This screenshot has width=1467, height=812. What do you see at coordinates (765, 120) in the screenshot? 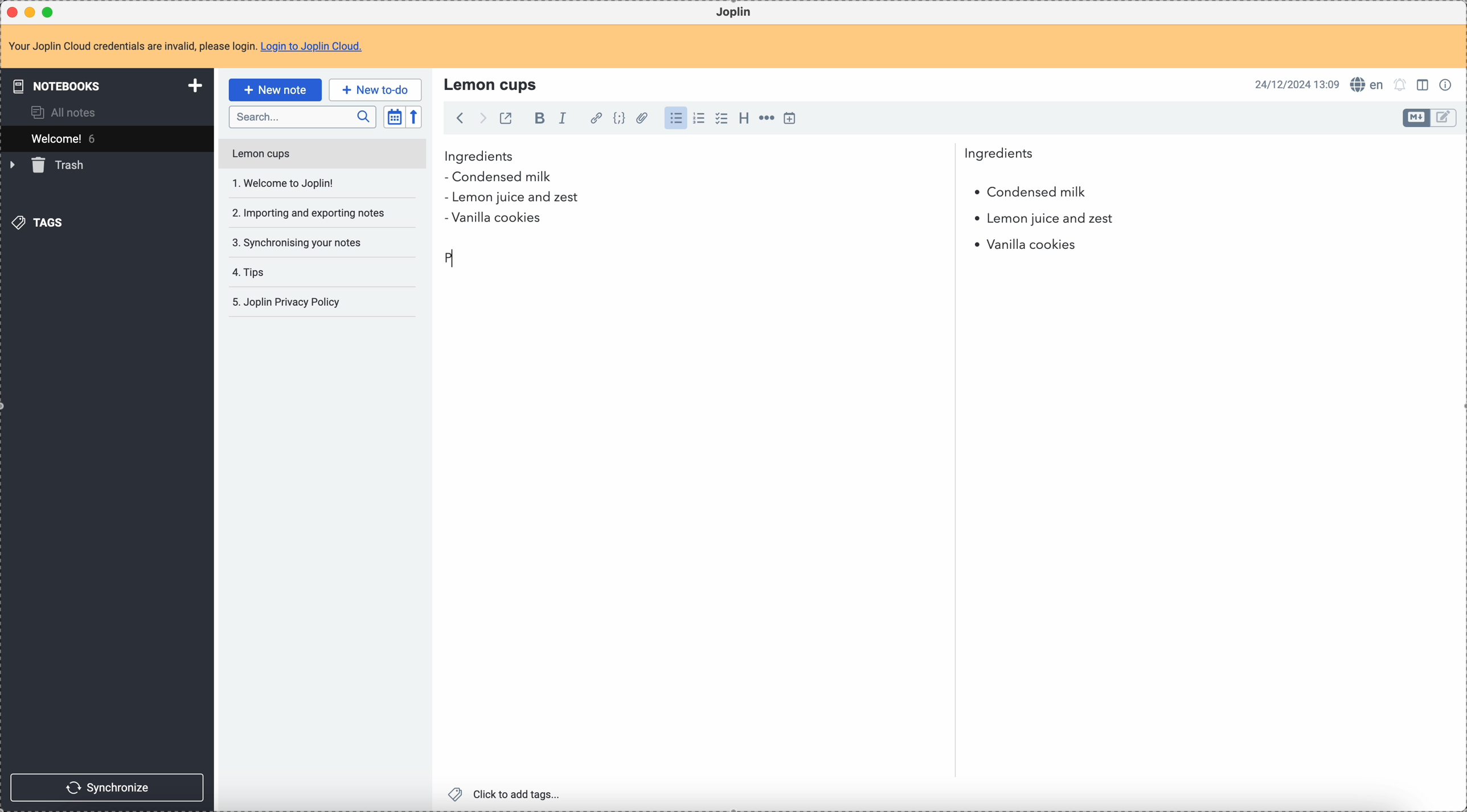
I see `horizontal rule` at bounding box center [765, 120].